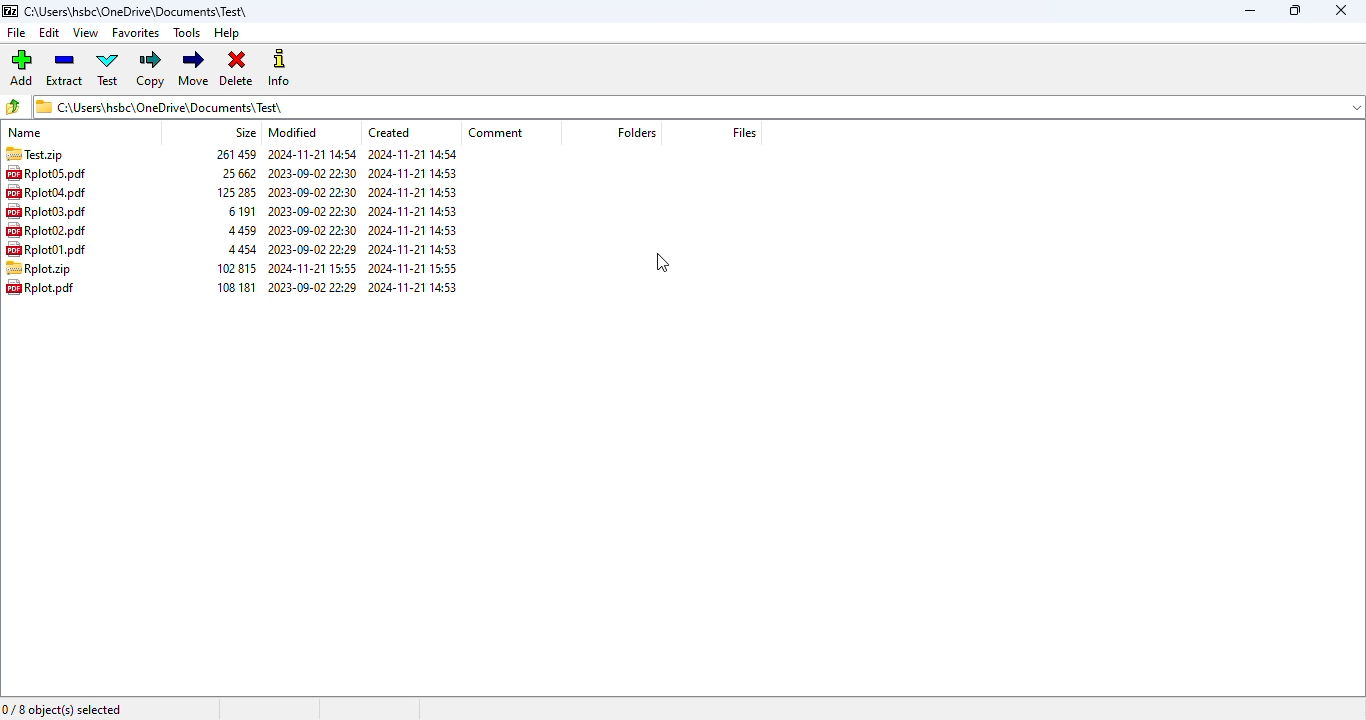 This screenshot has height=720, width=1366. What do you see at coordinates (194, 67) in the screenshot?
I see `move` at bounding box center [194, 67].